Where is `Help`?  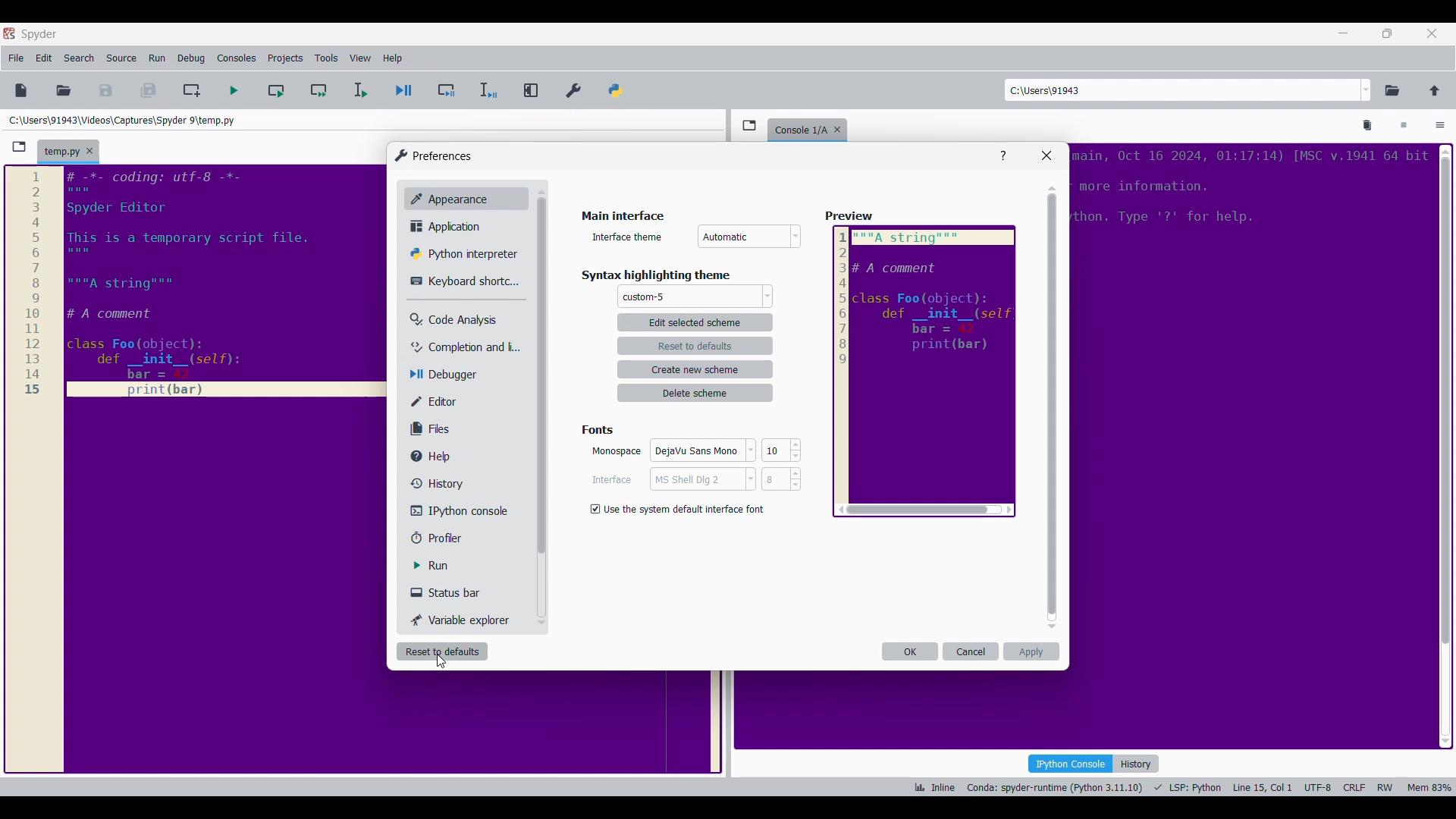
Help is located at coordinates (1003, 155).